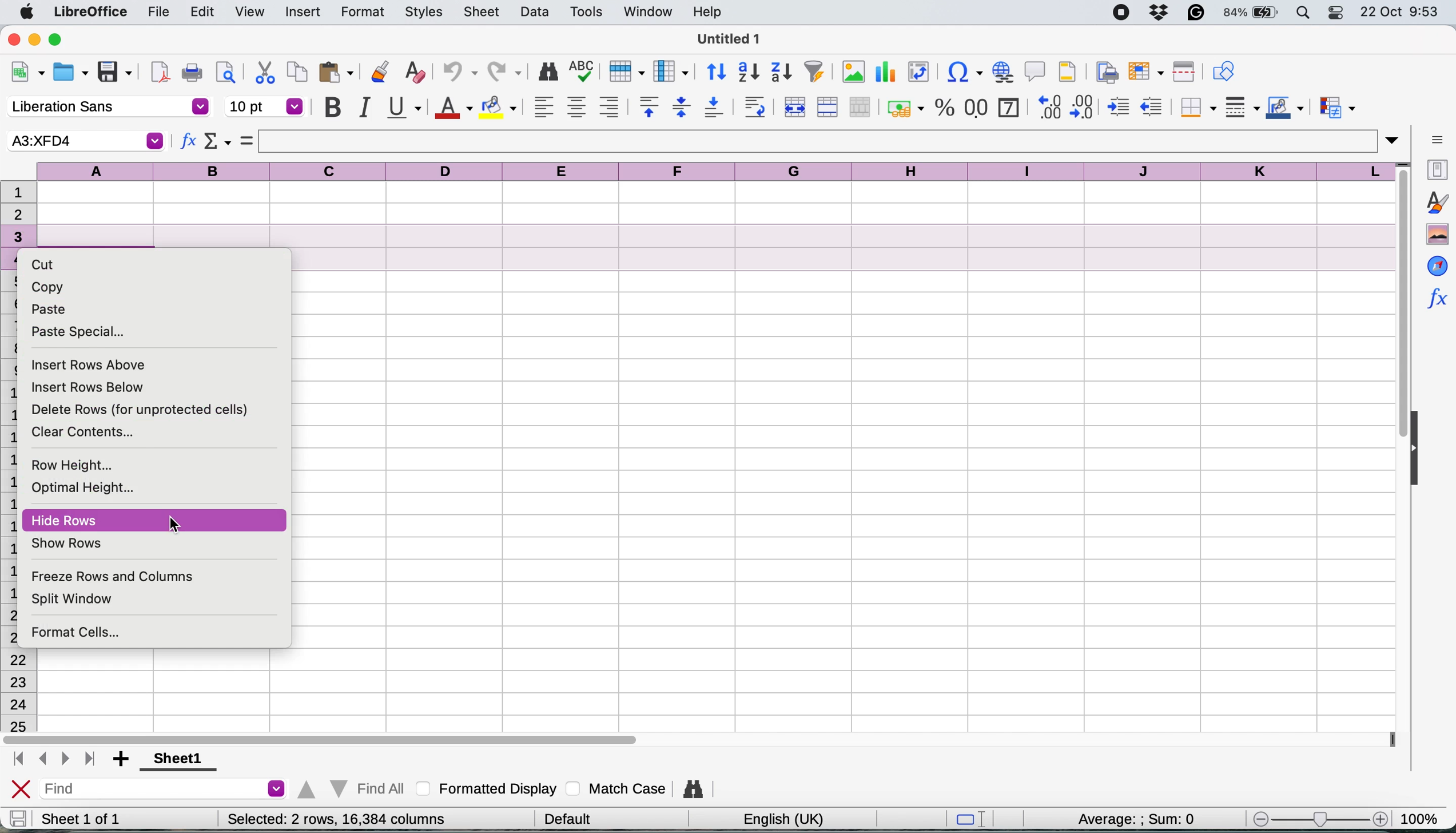 The image size is (1456, 833). Describe the element at coordinates (84, 634) in the screenshot. I see `format cells` at that location.